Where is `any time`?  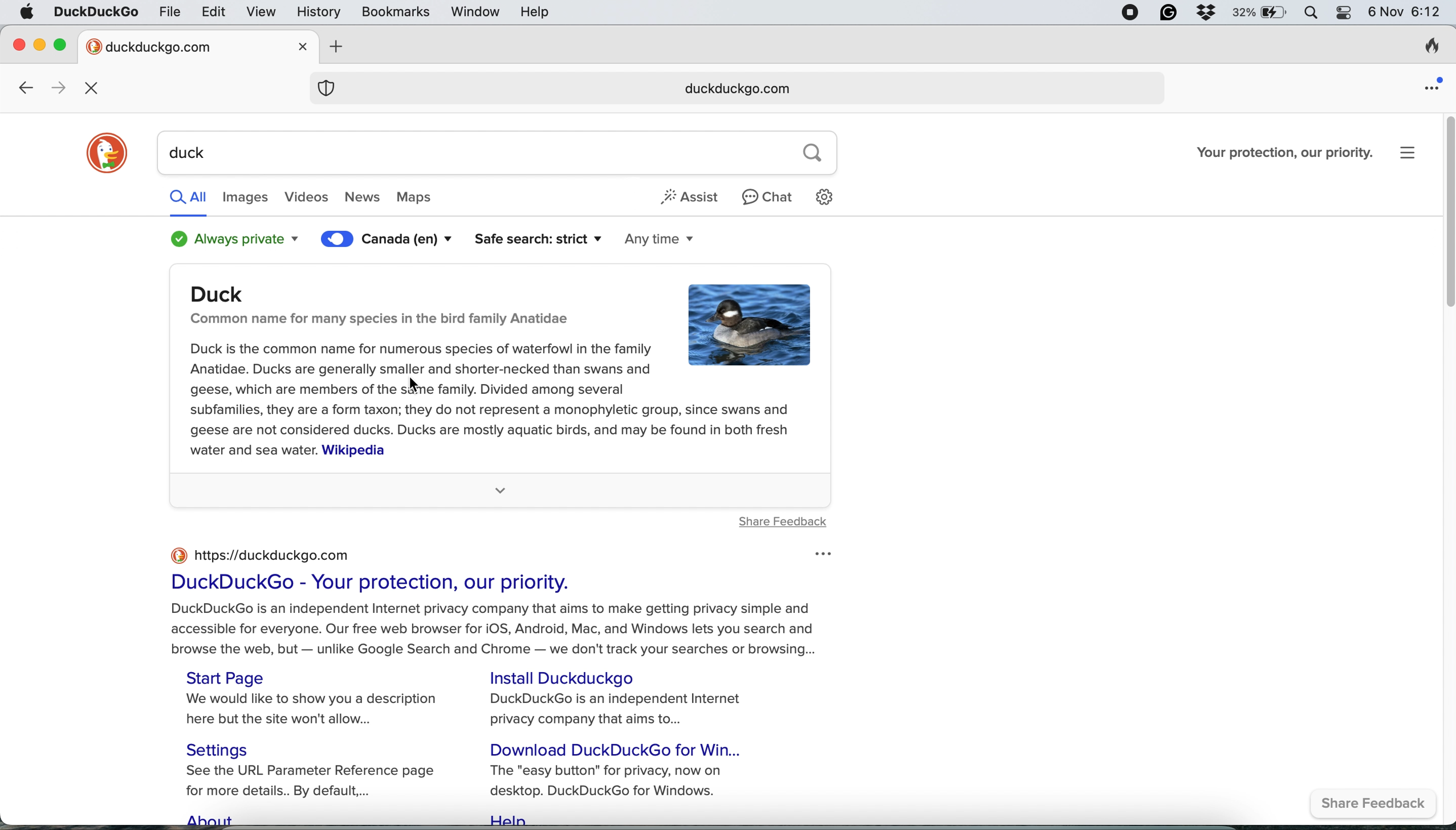
any time is located at coordinates (641, 241).